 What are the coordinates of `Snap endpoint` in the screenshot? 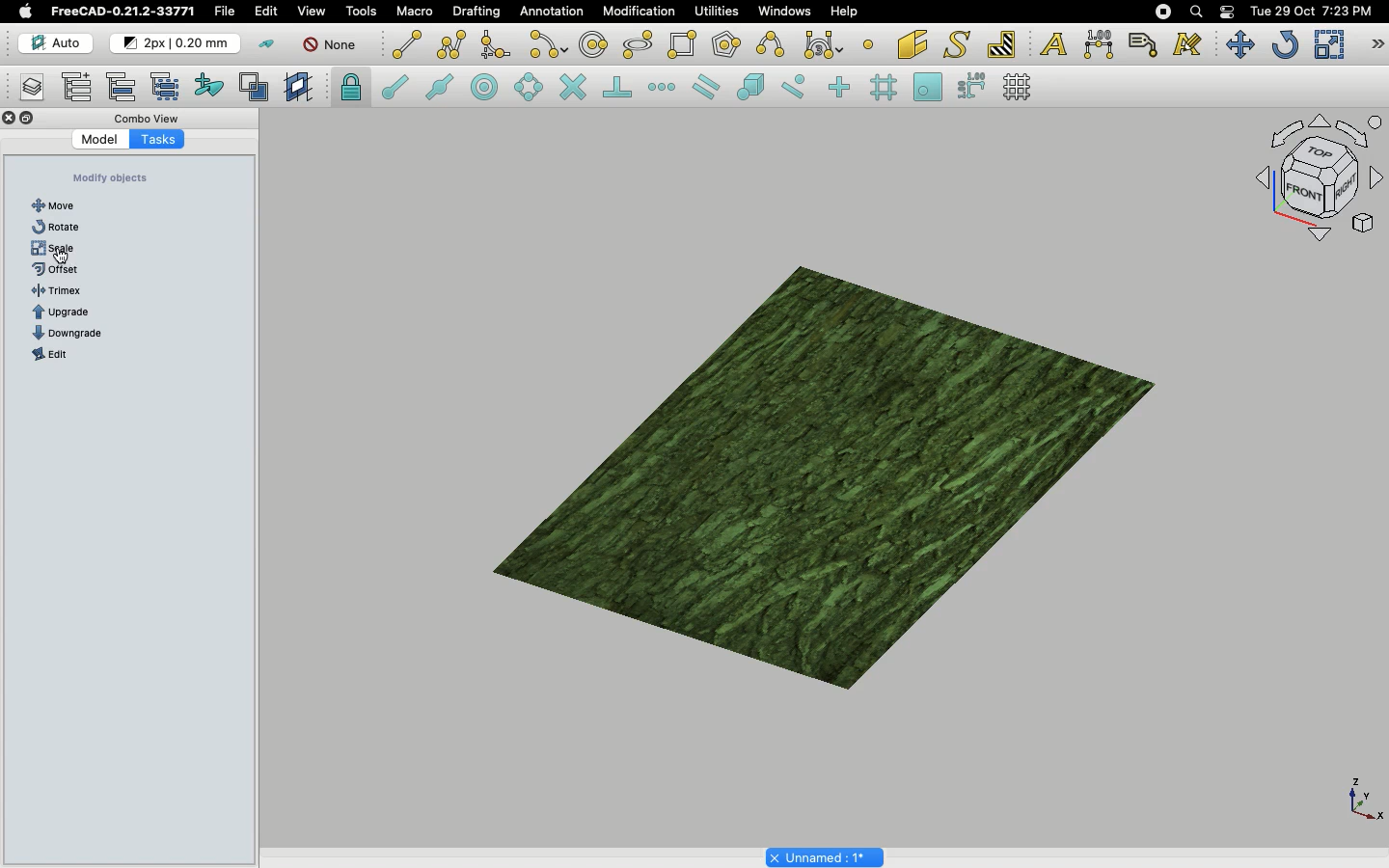 It's located at (392, 84).